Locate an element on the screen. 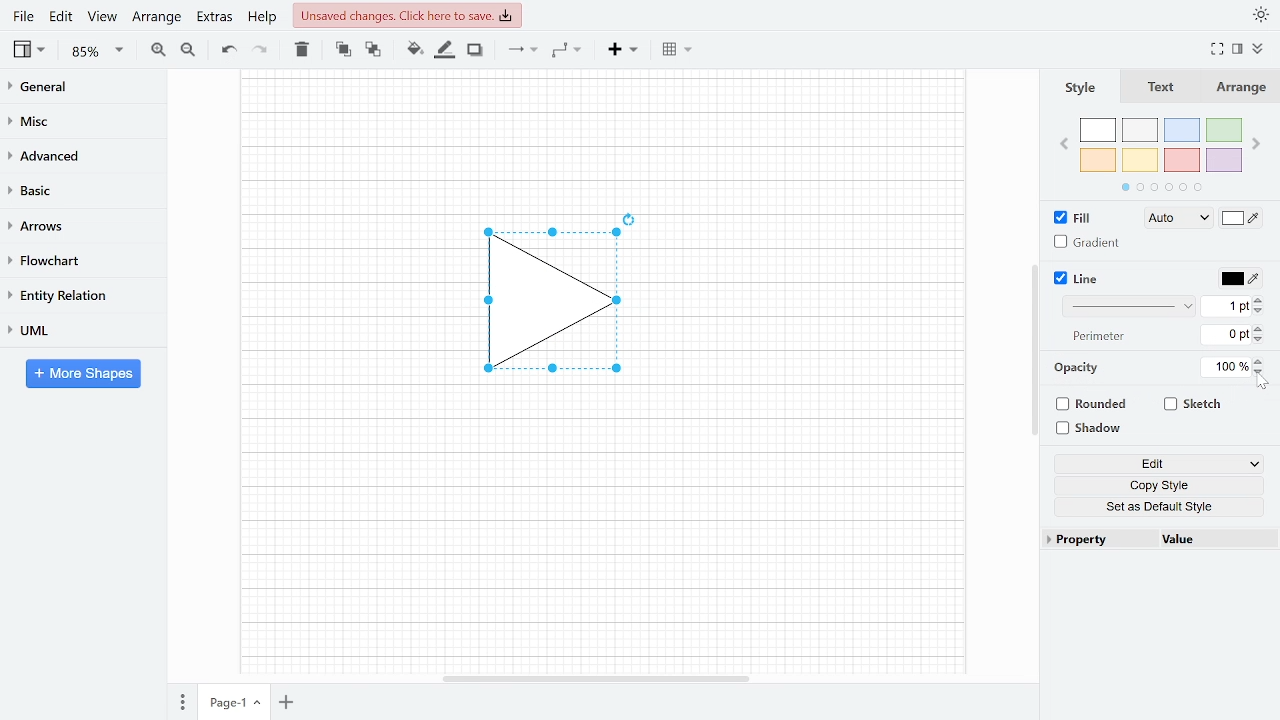 This screenshot has height=720, width=1280. Pages is located at coordinates (181, 704).